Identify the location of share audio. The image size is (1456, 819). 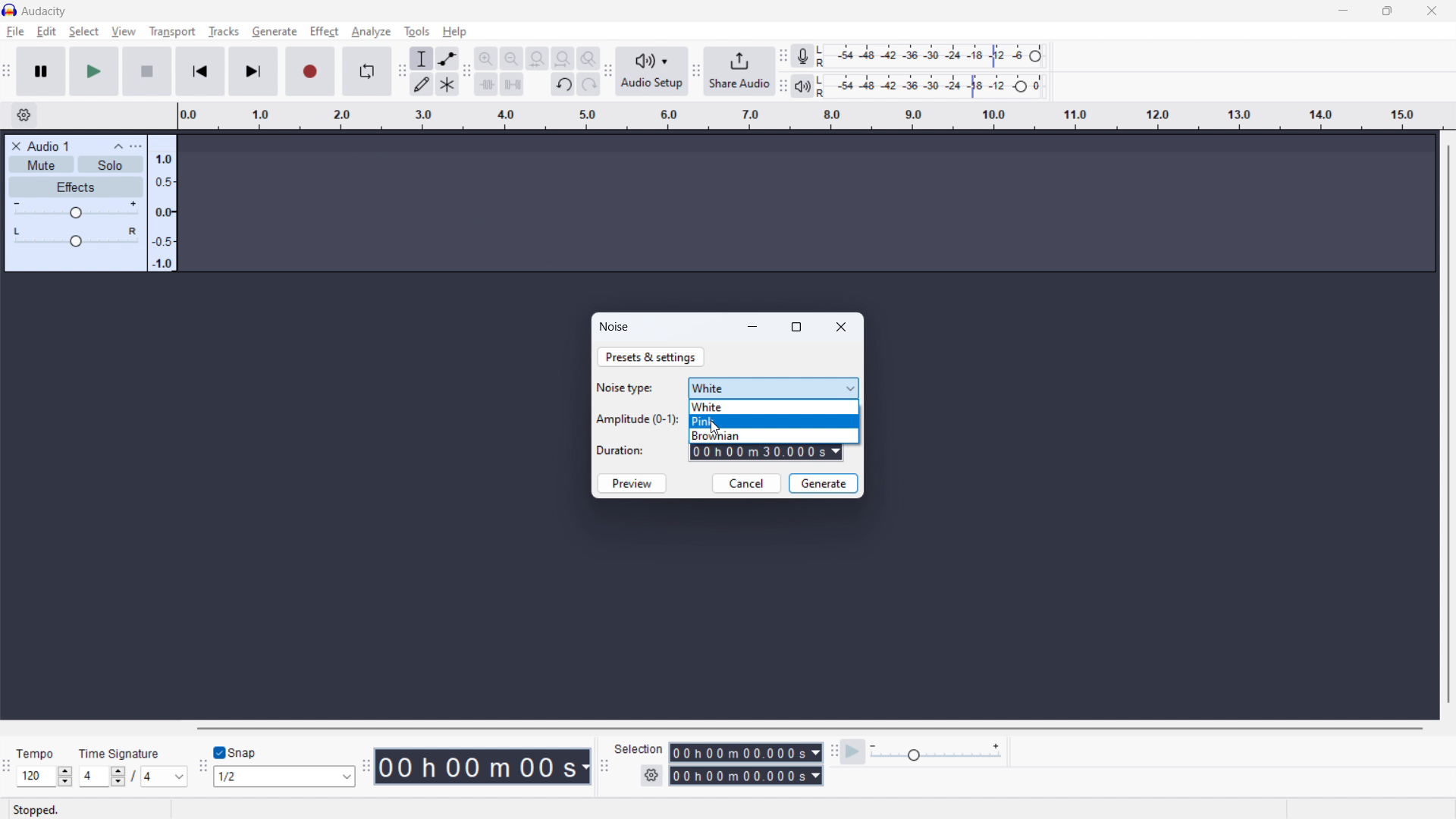
(739, 71).